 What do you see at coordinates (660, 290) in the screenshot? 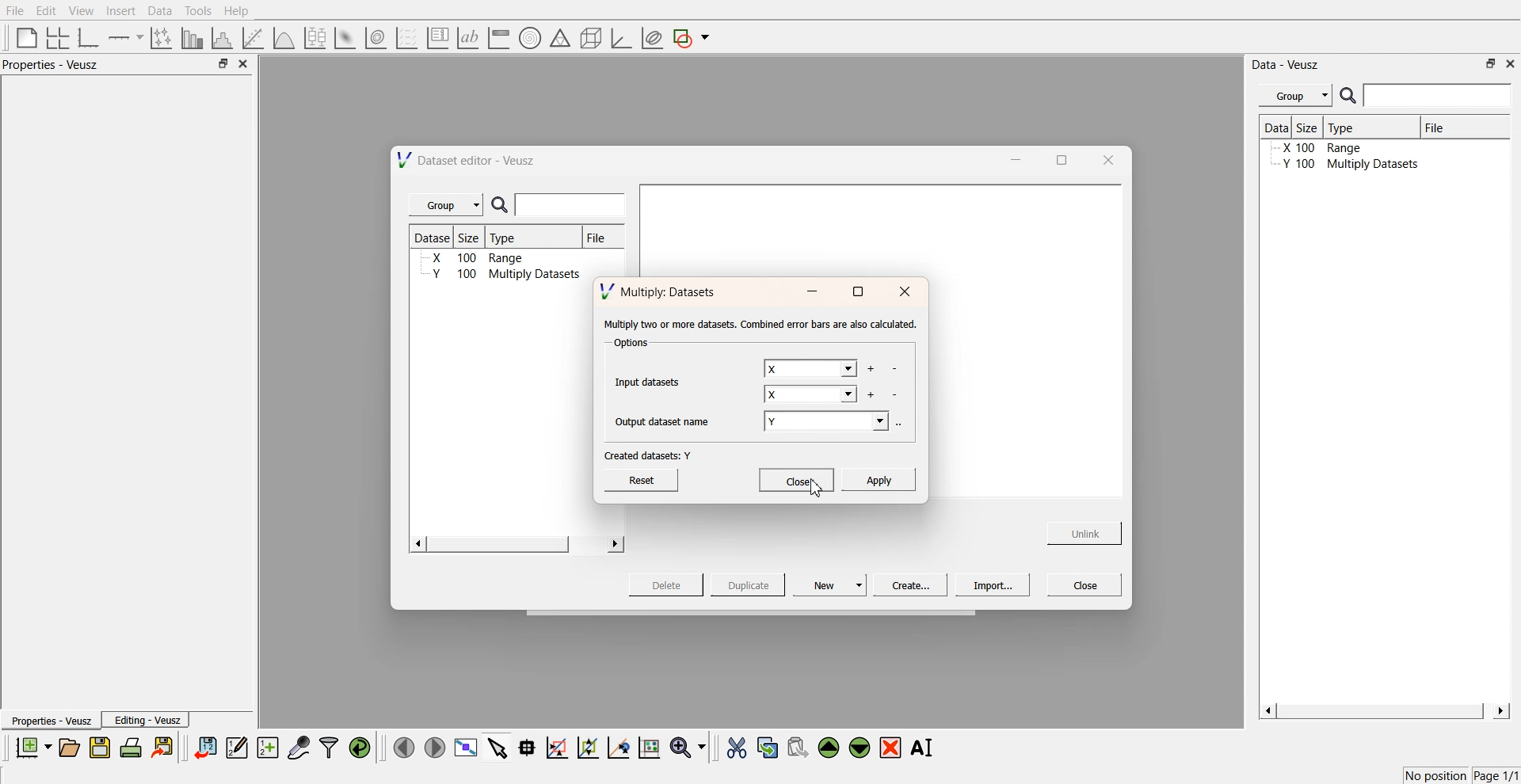
I see `Multiply: Datasets` at bounding box center [660, 290].